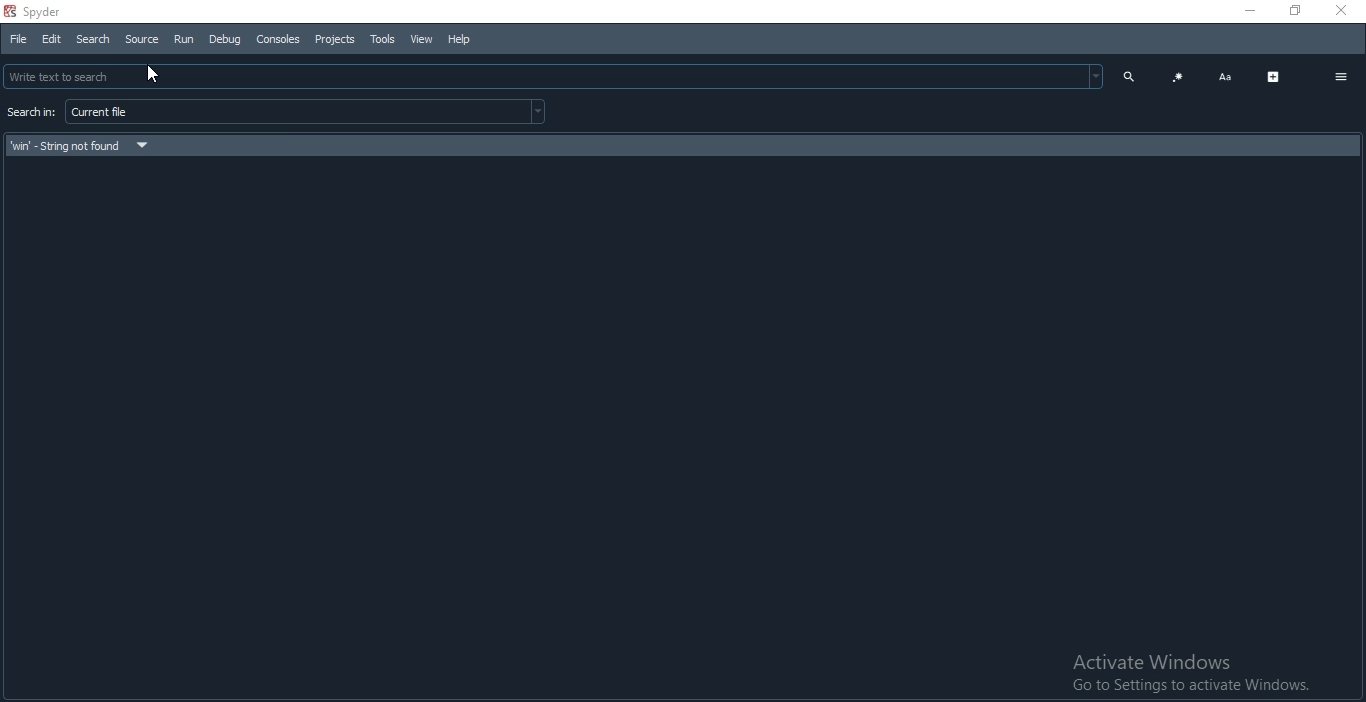 Image resolution: width=1366 pixels, height=702 pixels. What do you see at coordinates (1248, 10) in the screenshot?
I see `Minimise` at bounding box center [1248, 10].